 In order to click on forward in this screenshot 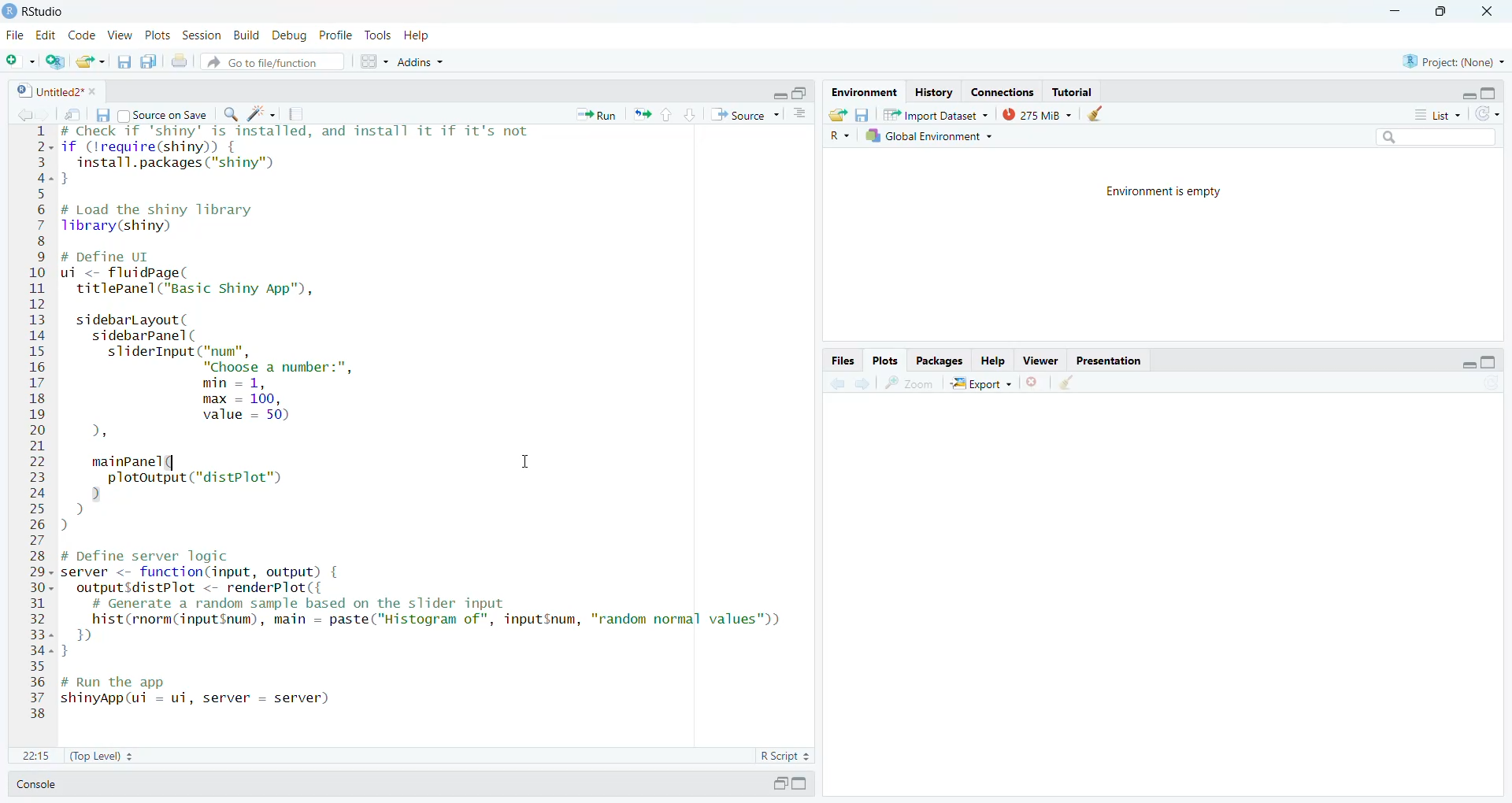, I will do `click(43, 115)`.